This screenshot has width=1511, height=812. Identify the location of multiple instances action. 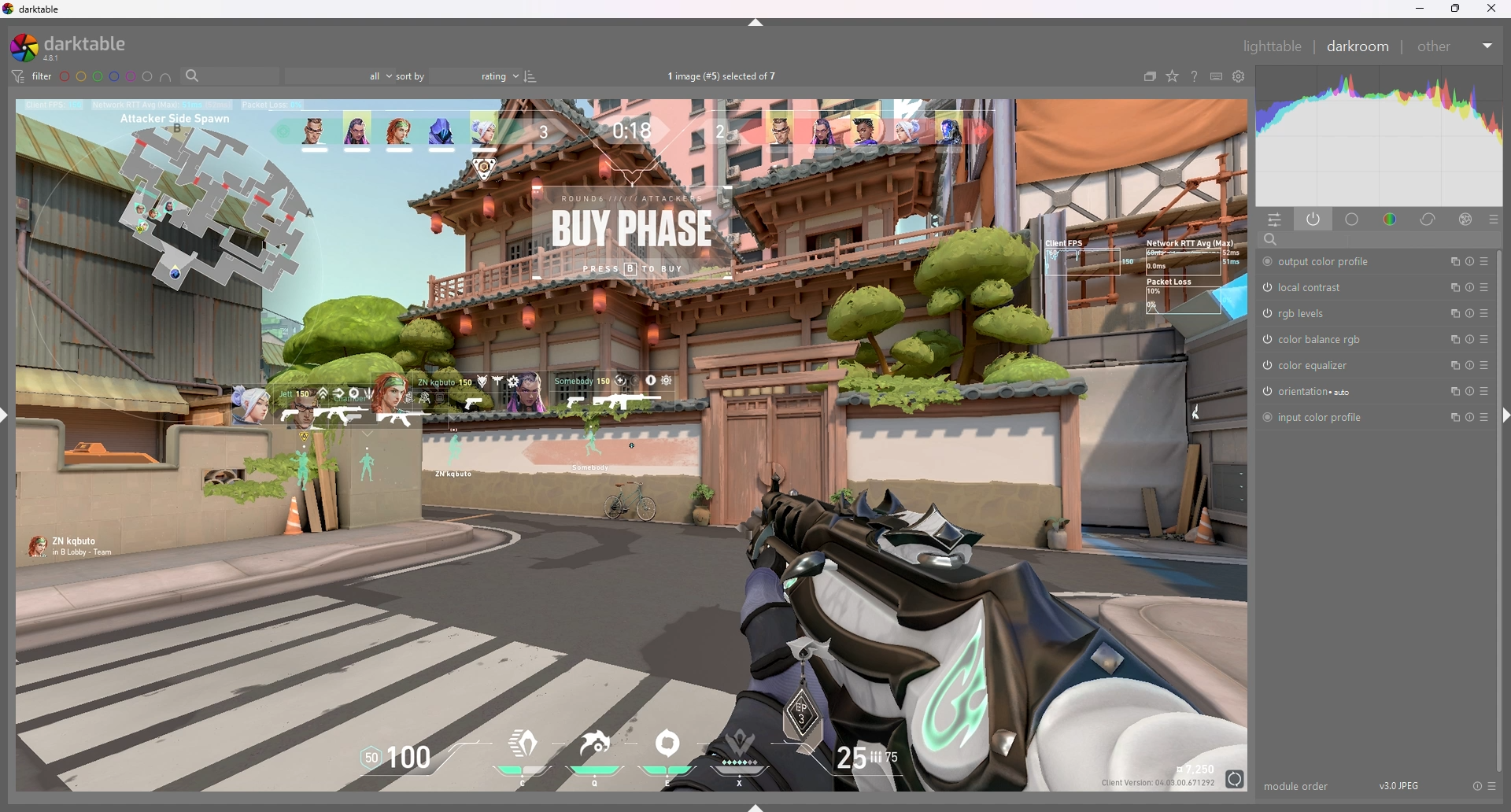
(1451, 365).